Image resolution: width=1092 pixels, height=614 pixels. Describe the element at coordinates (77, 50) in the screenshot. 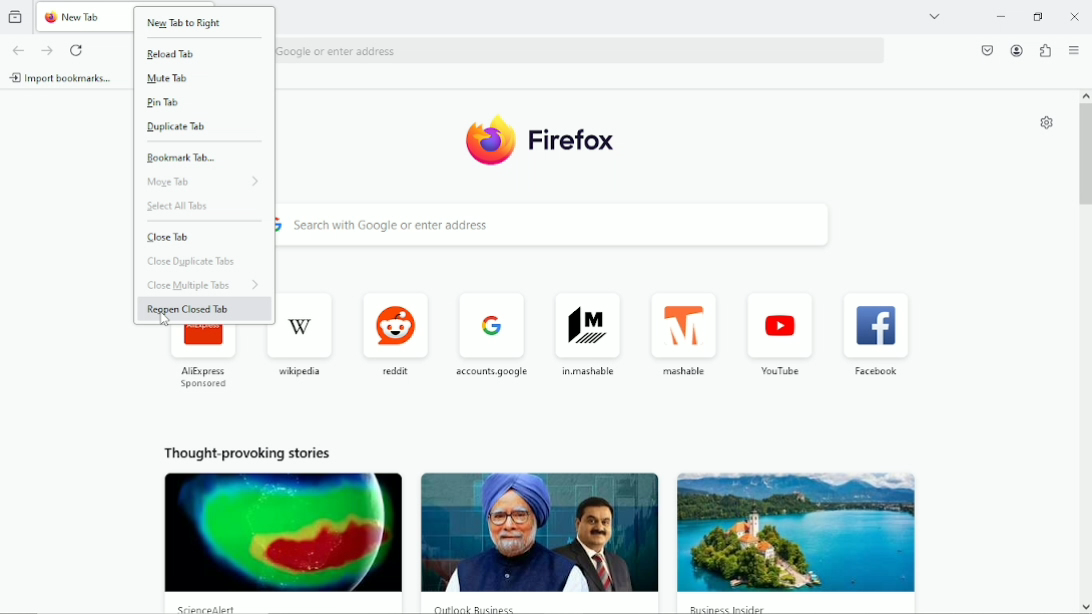

I see `Reload current tab` at that location.